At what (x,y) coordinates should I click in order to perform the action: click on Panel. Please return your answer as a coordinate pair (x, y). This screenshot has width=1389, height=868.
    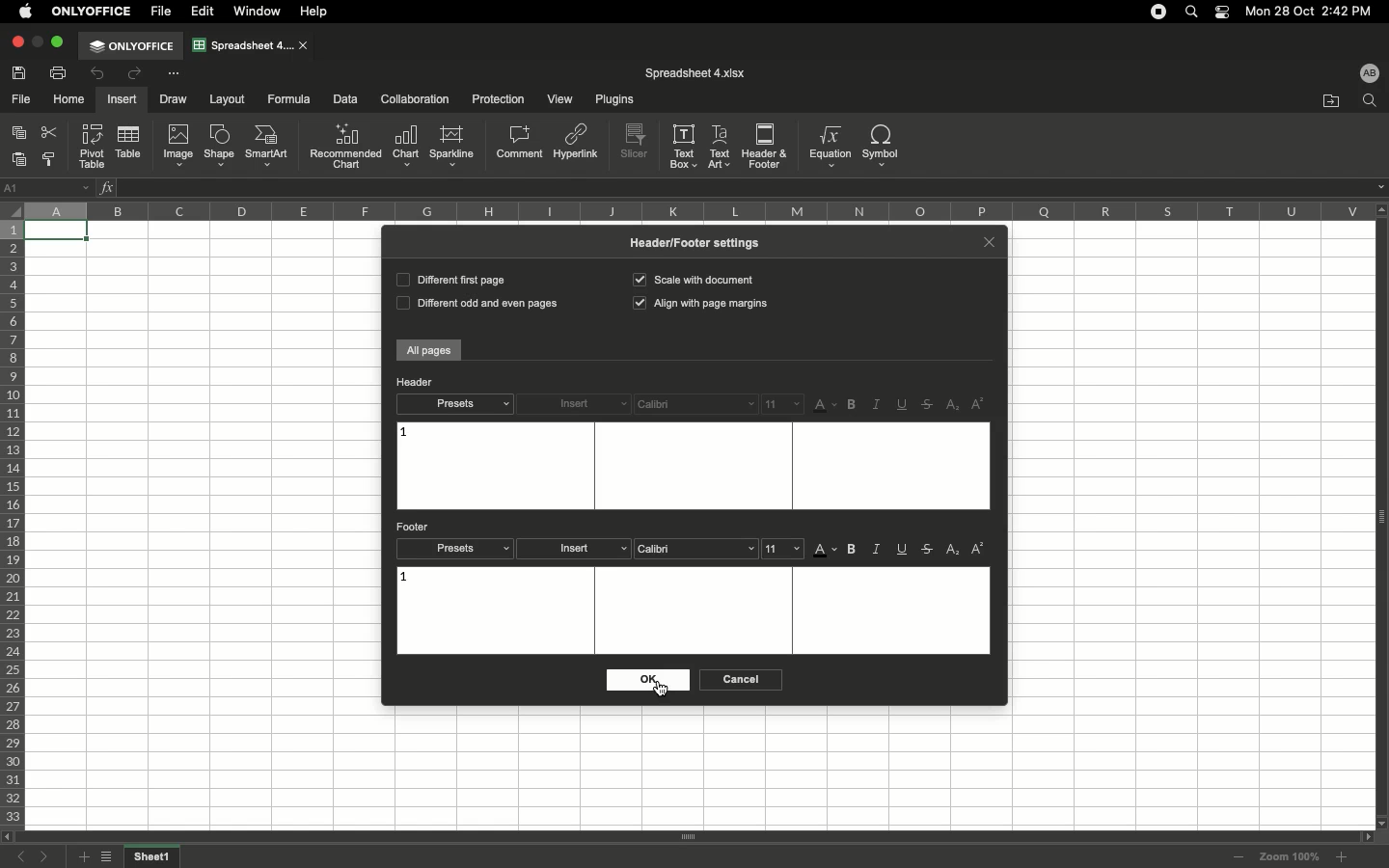
    Looking at the image, I should click on (1380, 517).